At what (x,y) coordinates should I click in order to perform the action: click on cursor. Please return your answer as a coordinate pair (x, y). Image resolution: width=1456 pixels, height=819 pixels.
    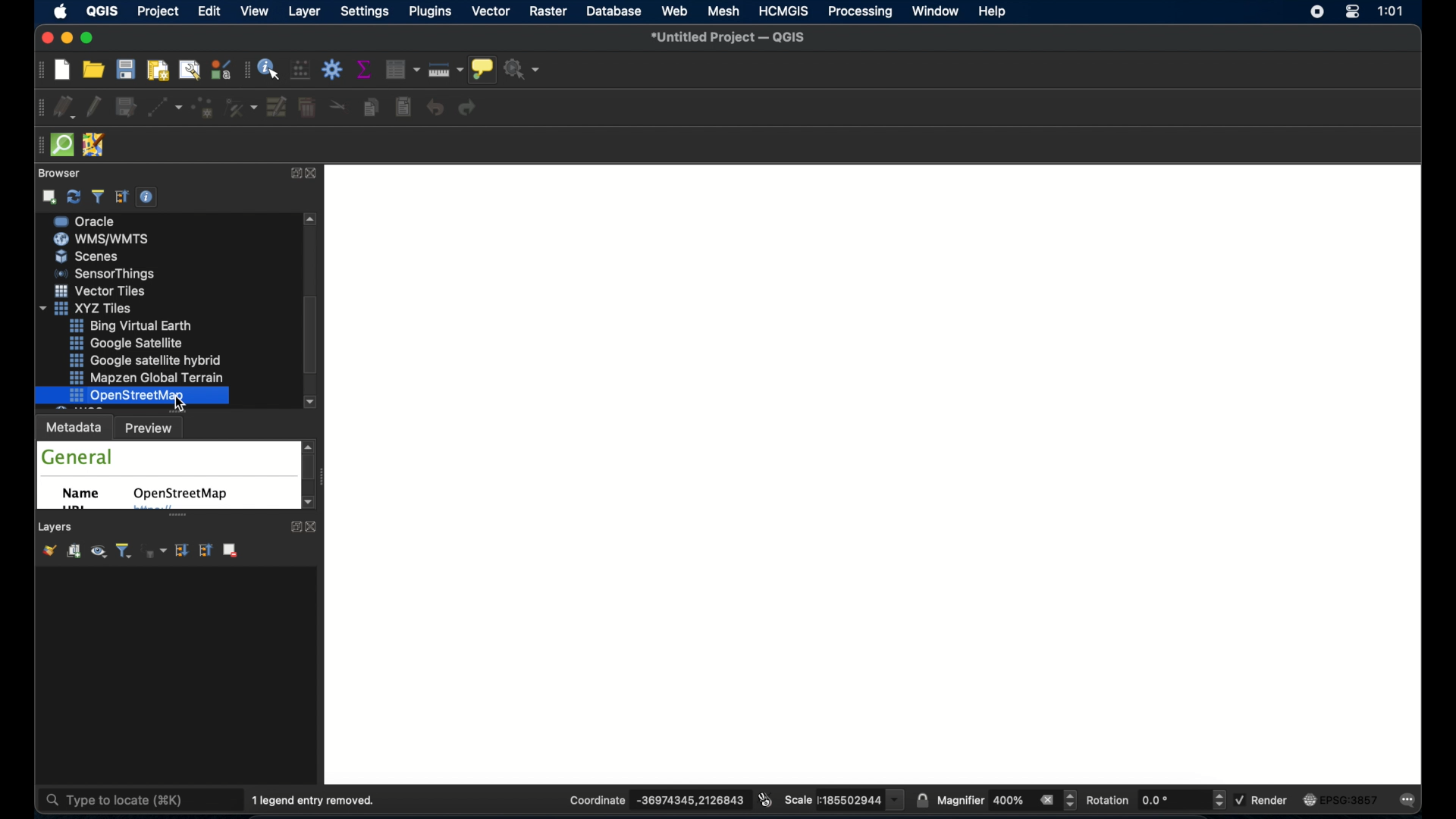
    Looking at the image, I should click on (187, 402).